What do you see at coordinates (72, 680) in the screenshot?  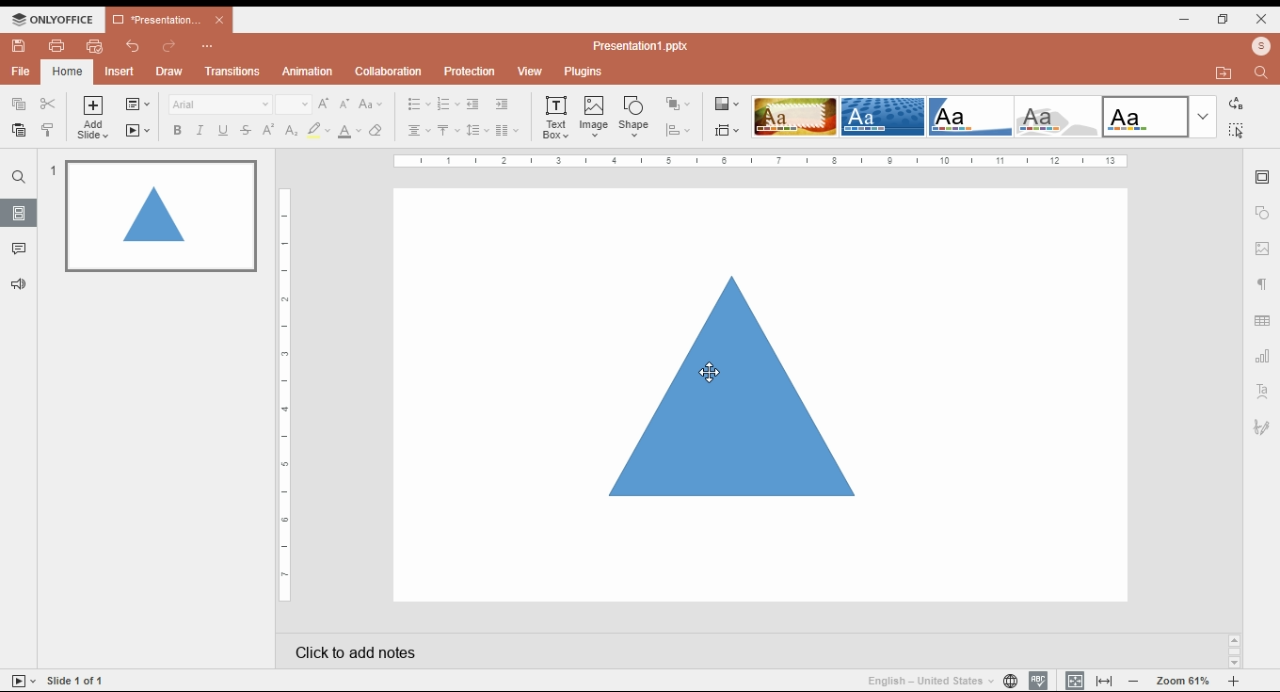 I see `slide` at bounding box center [72, 680].